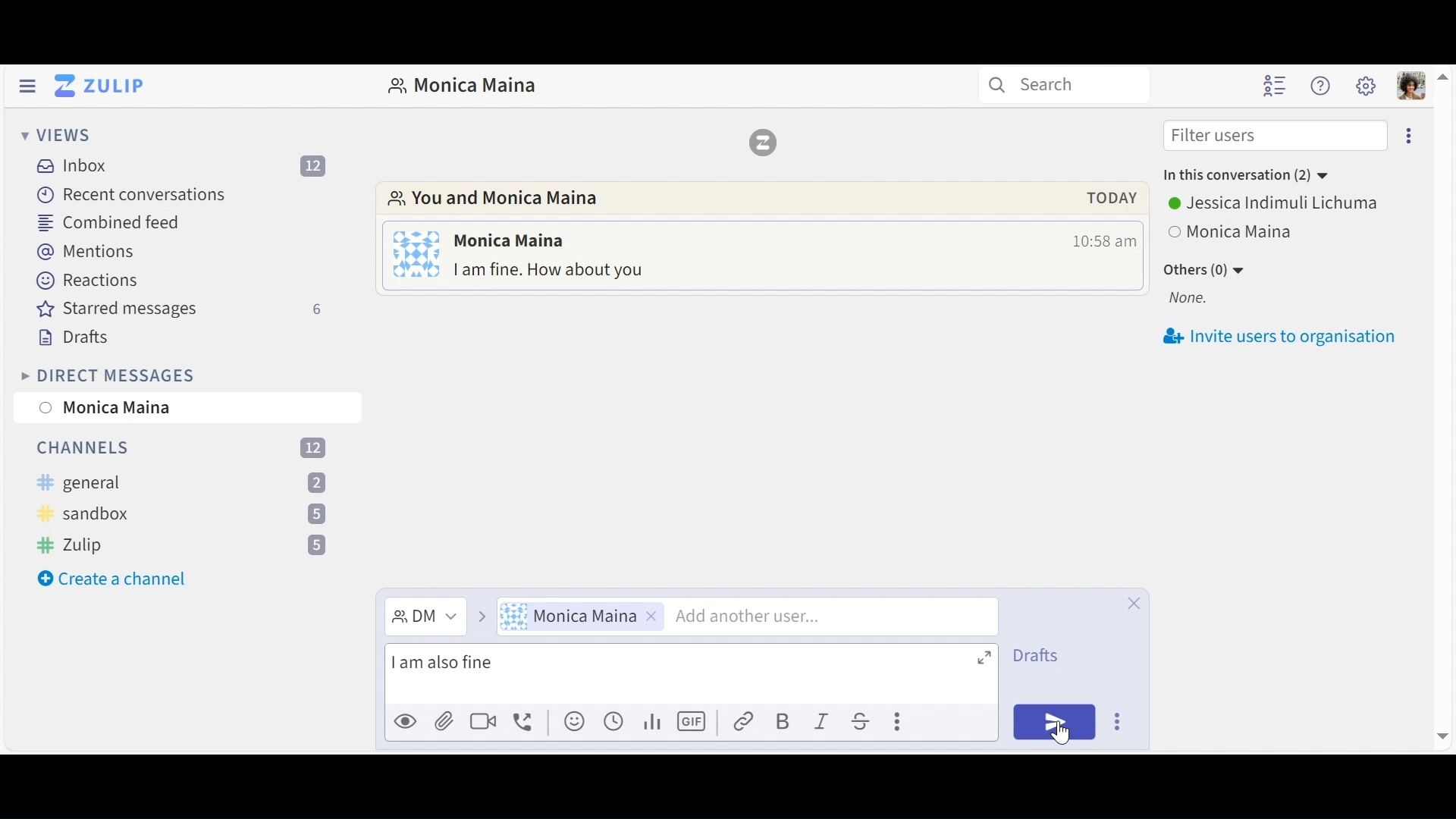  I want to click on Add GIF, so click(693, 723).